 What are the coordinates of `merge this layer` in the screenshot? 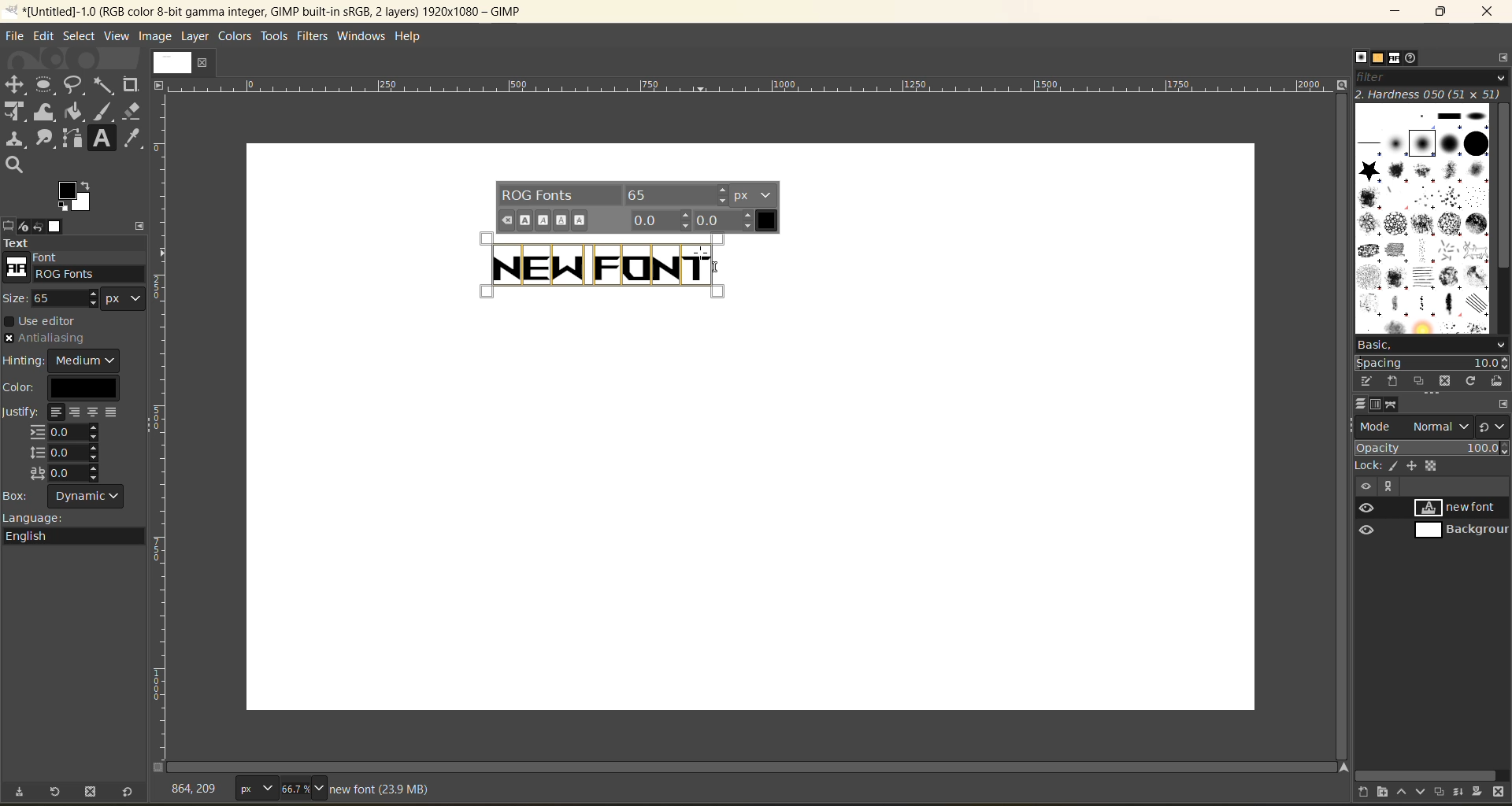 It's located at (1461, 793).